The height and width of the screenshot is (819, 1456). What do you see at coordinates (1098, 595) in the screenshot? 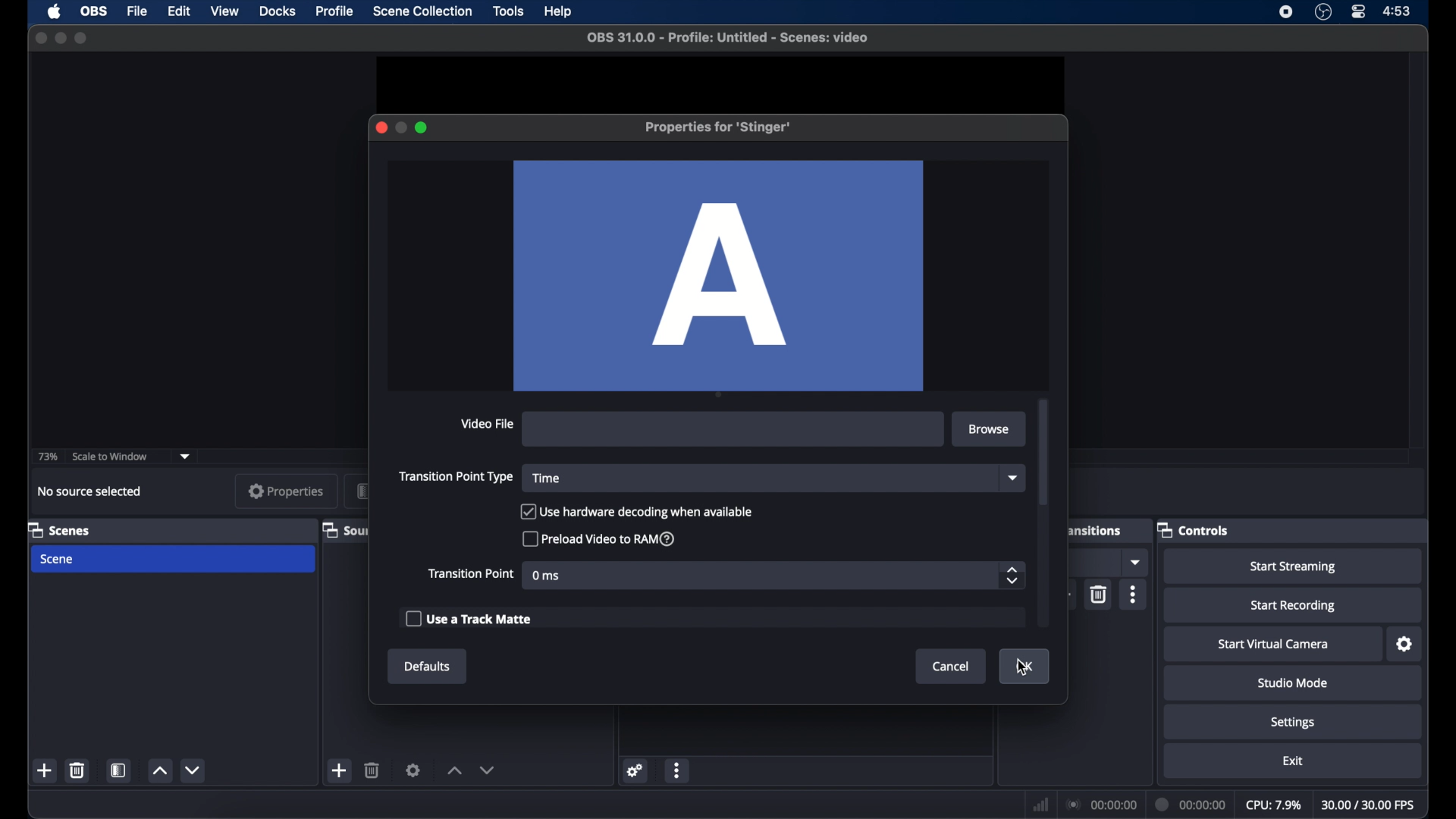
I see `delete` at bounding box center [1098, 595].